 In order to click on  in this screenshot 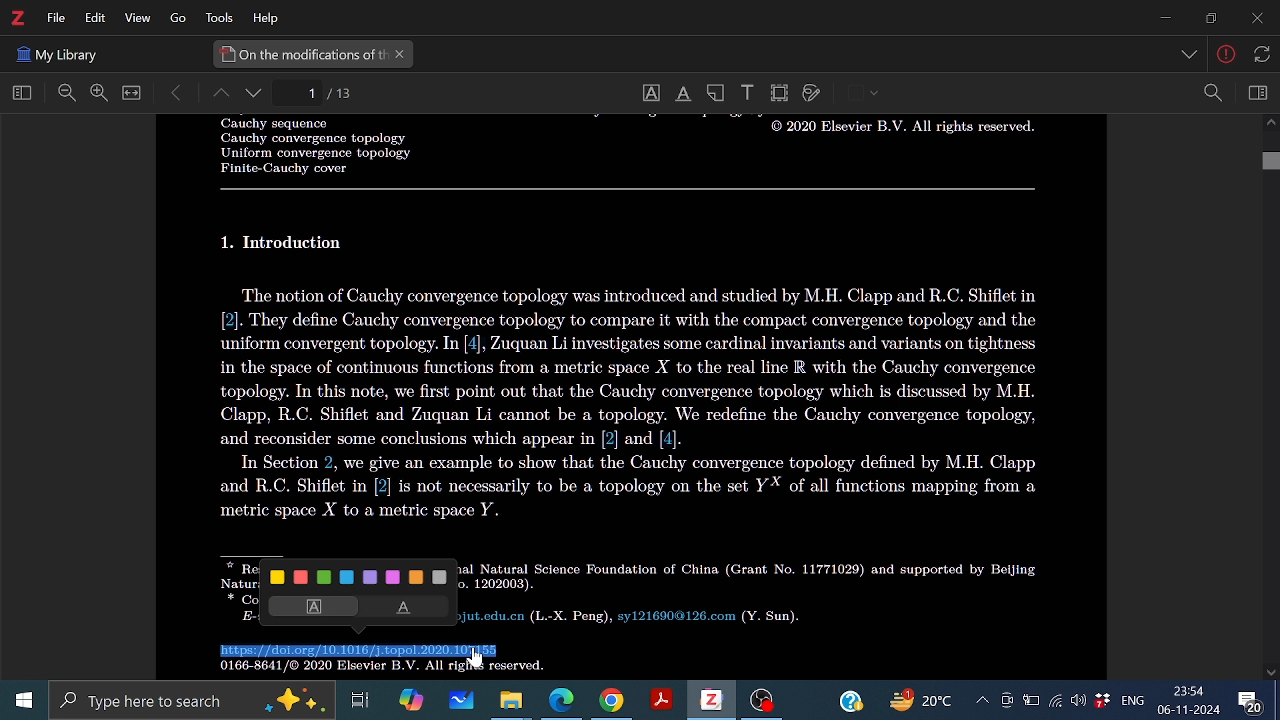, I will do `click(1227, 57)`.